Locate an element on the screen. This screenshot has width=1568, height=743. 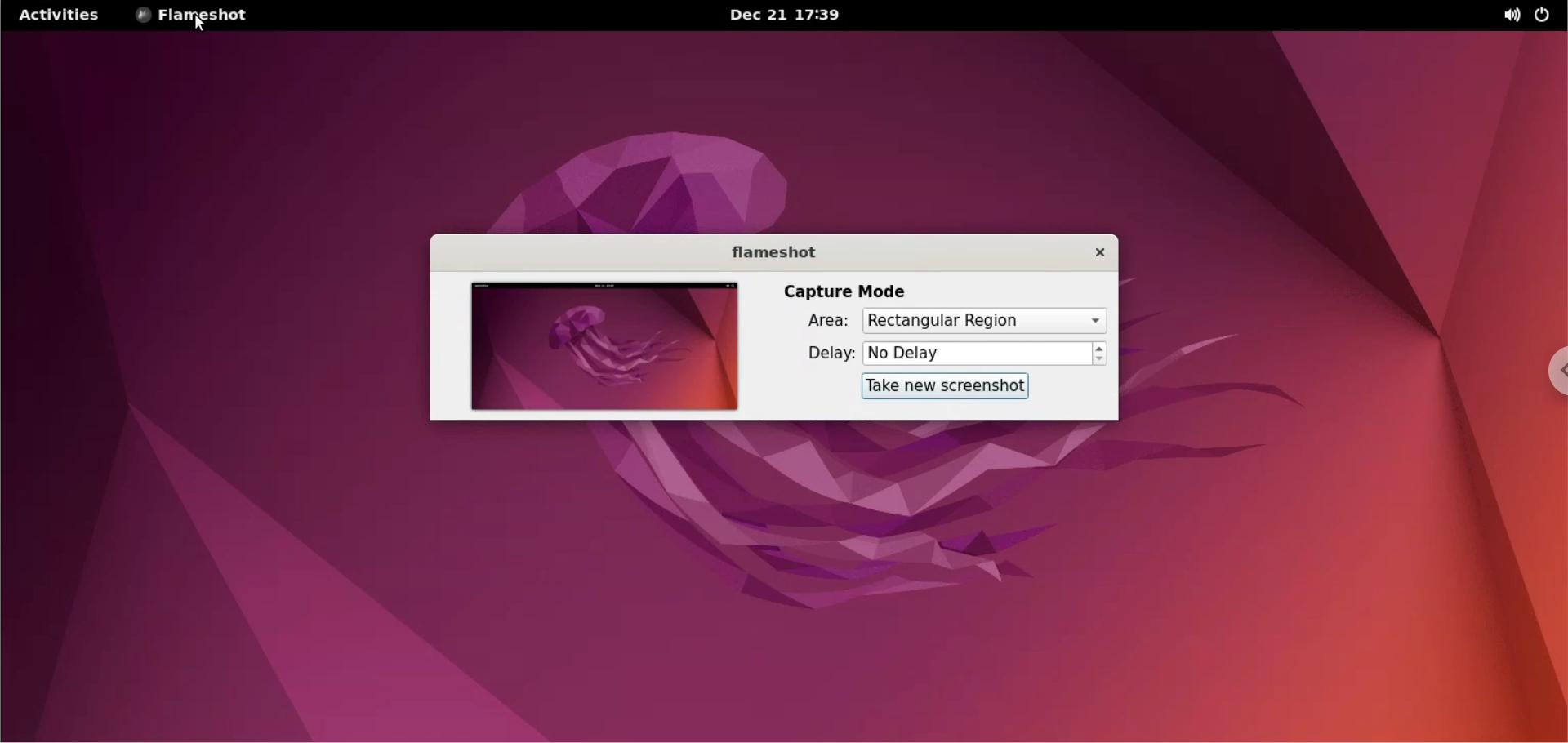
capture area types dropdown is located at coordinates (984, 320).